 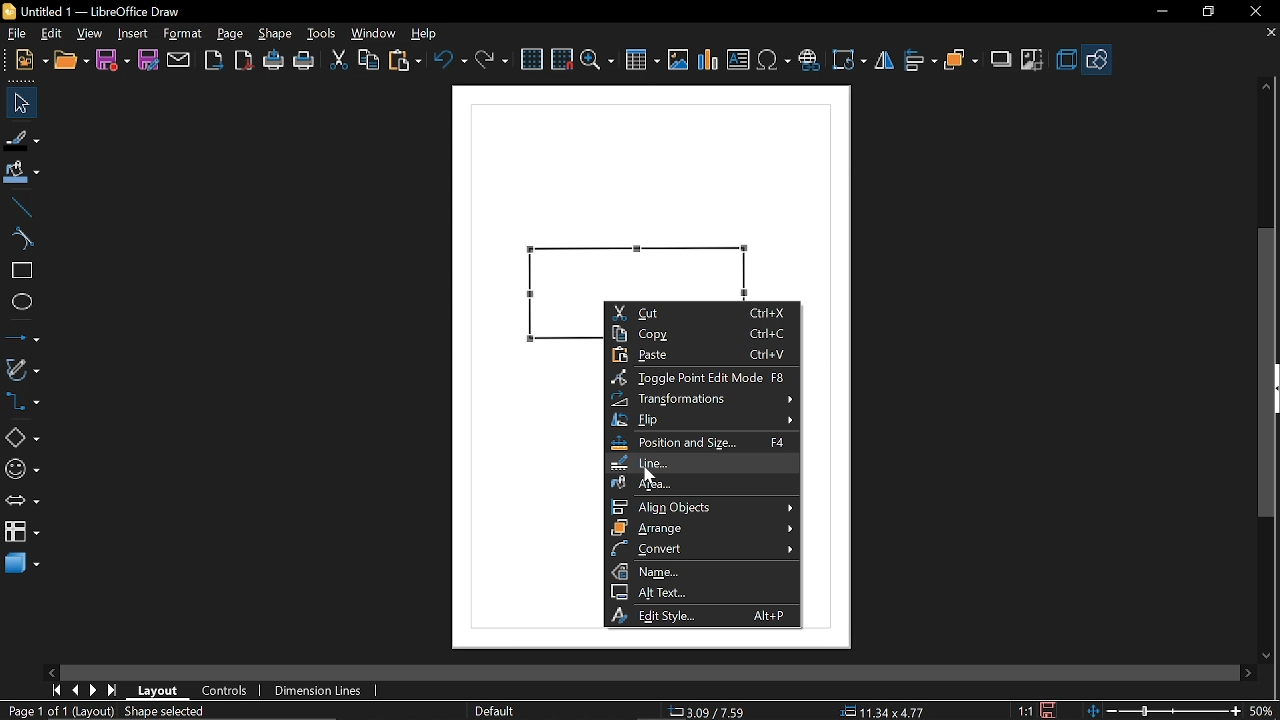 What do you see at coordinates (22, 175) in the screenshot?
I see `Fill color` at bounding box center [22, 175].